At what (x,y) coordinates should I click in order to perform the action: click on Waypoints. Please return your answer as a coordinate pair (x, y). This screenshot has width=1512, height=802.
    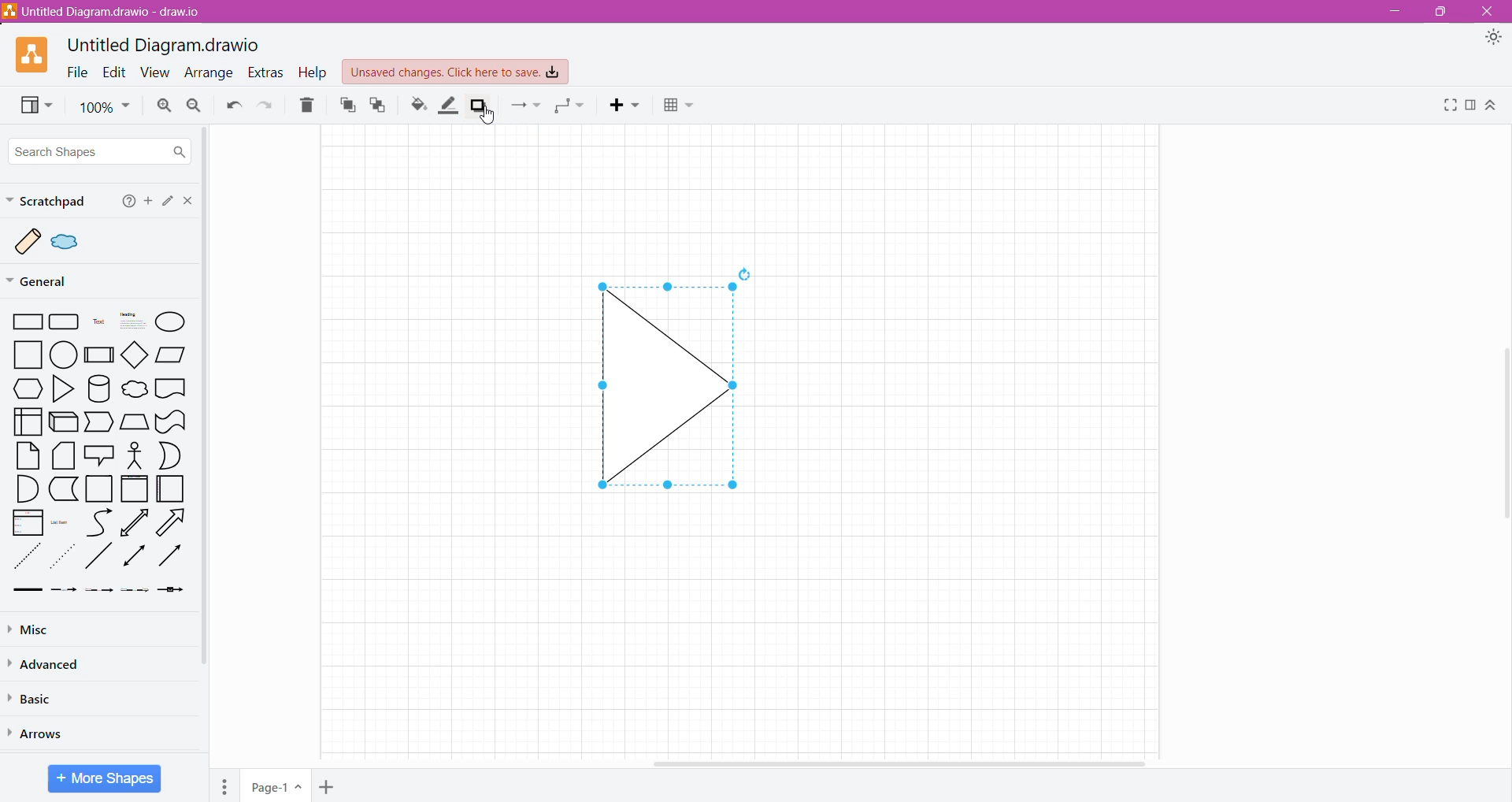
    Looking at the image, I should click on (571, 104).